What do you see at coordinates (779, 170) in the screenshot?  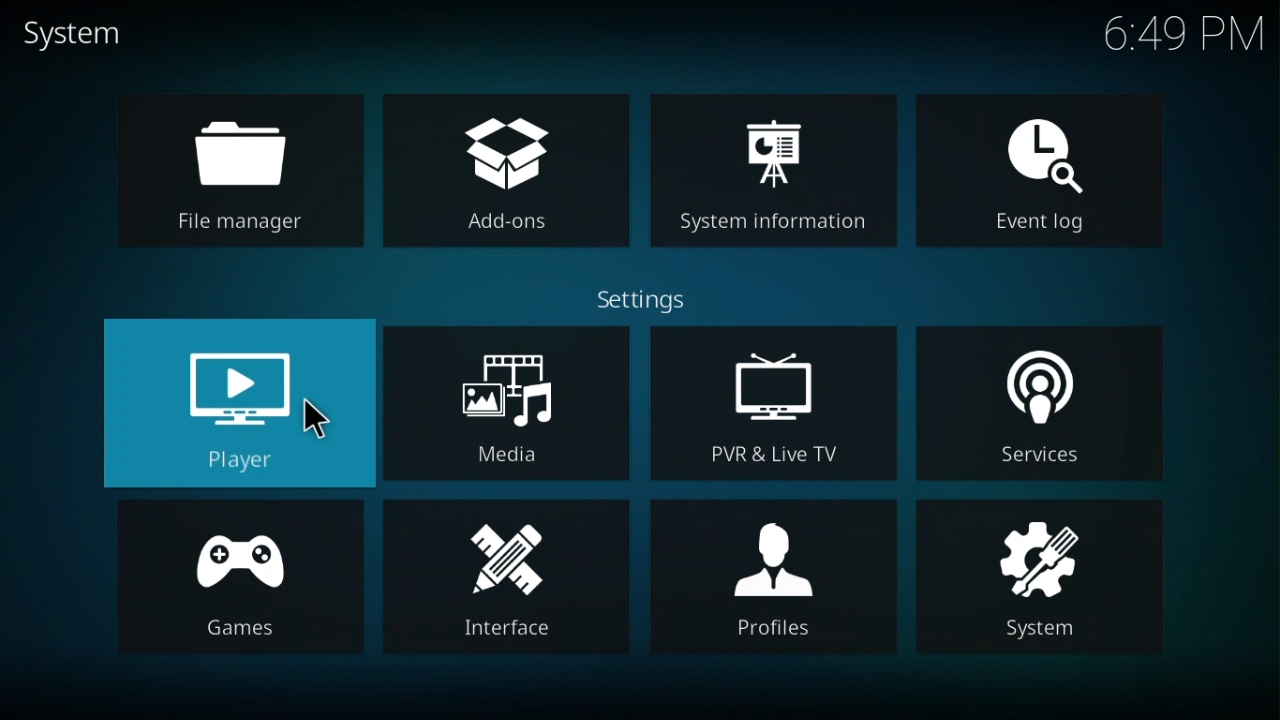 I see `System information` at bounding box center [779, 170].